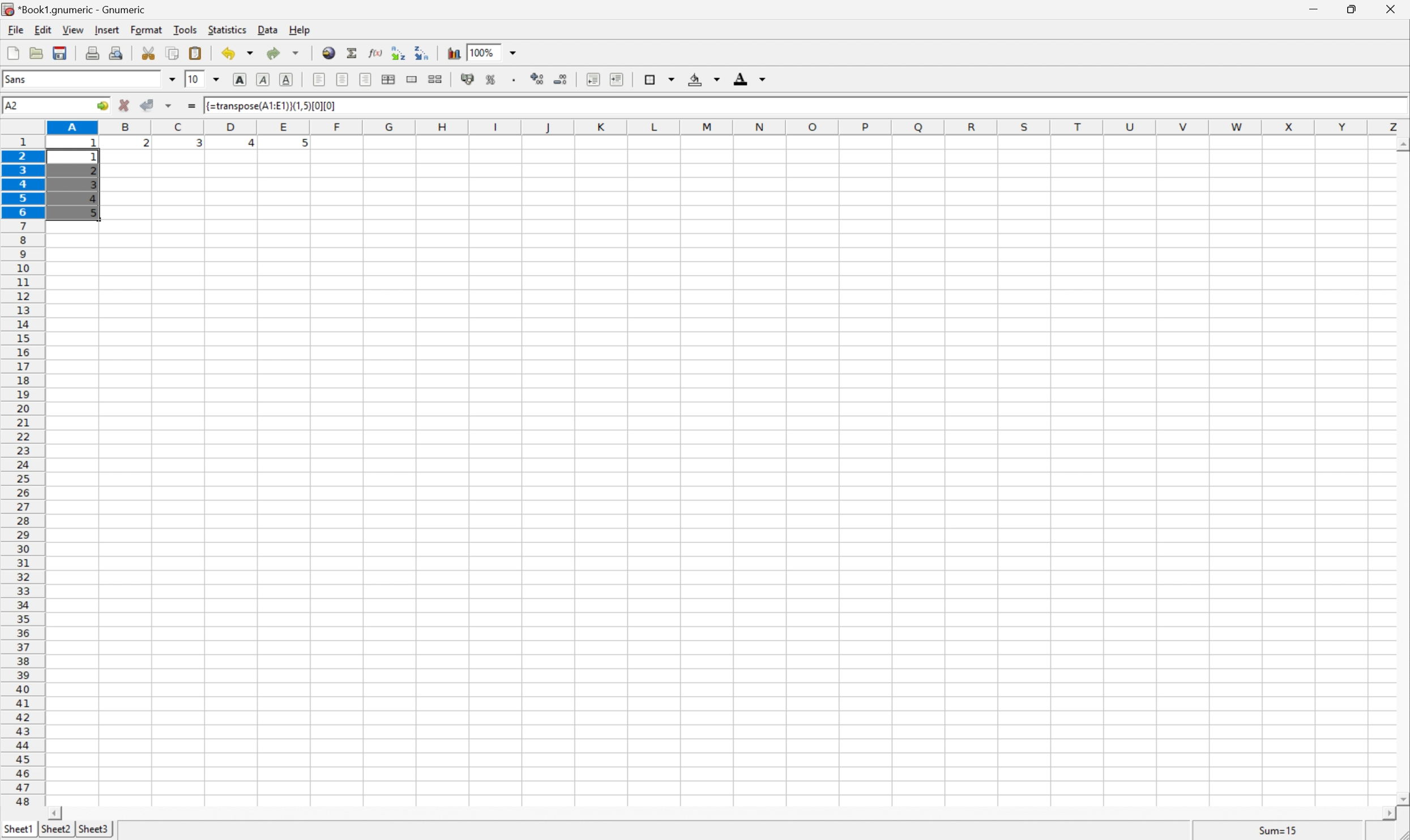 This screenshot has width=1410, height=840. What do you see at coordinates (366, 79) in the screenshot?
I see `align right` at bounding box center [366, 79].